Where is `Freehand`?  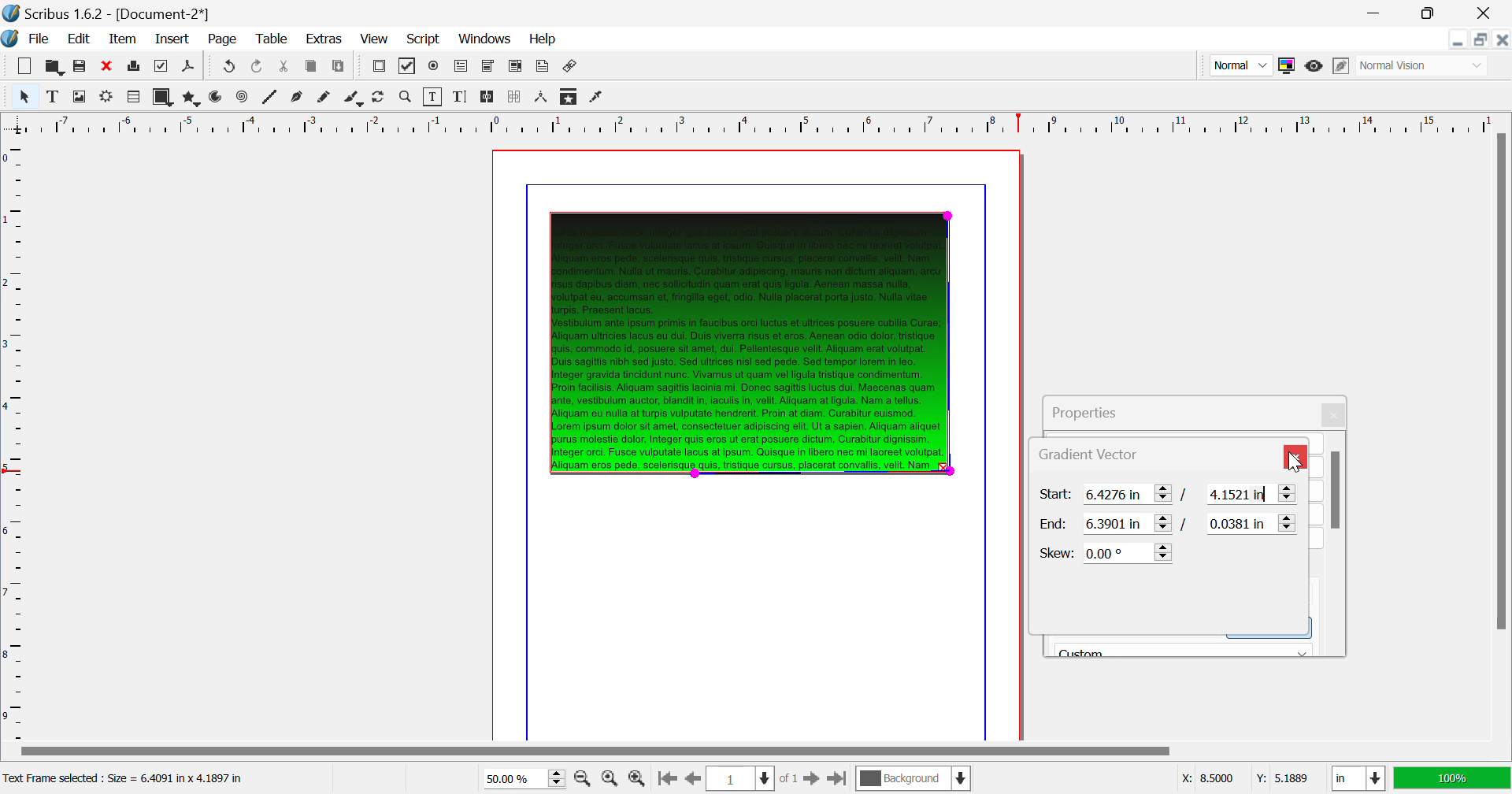 Freehand is located at coordinates (326, 98).